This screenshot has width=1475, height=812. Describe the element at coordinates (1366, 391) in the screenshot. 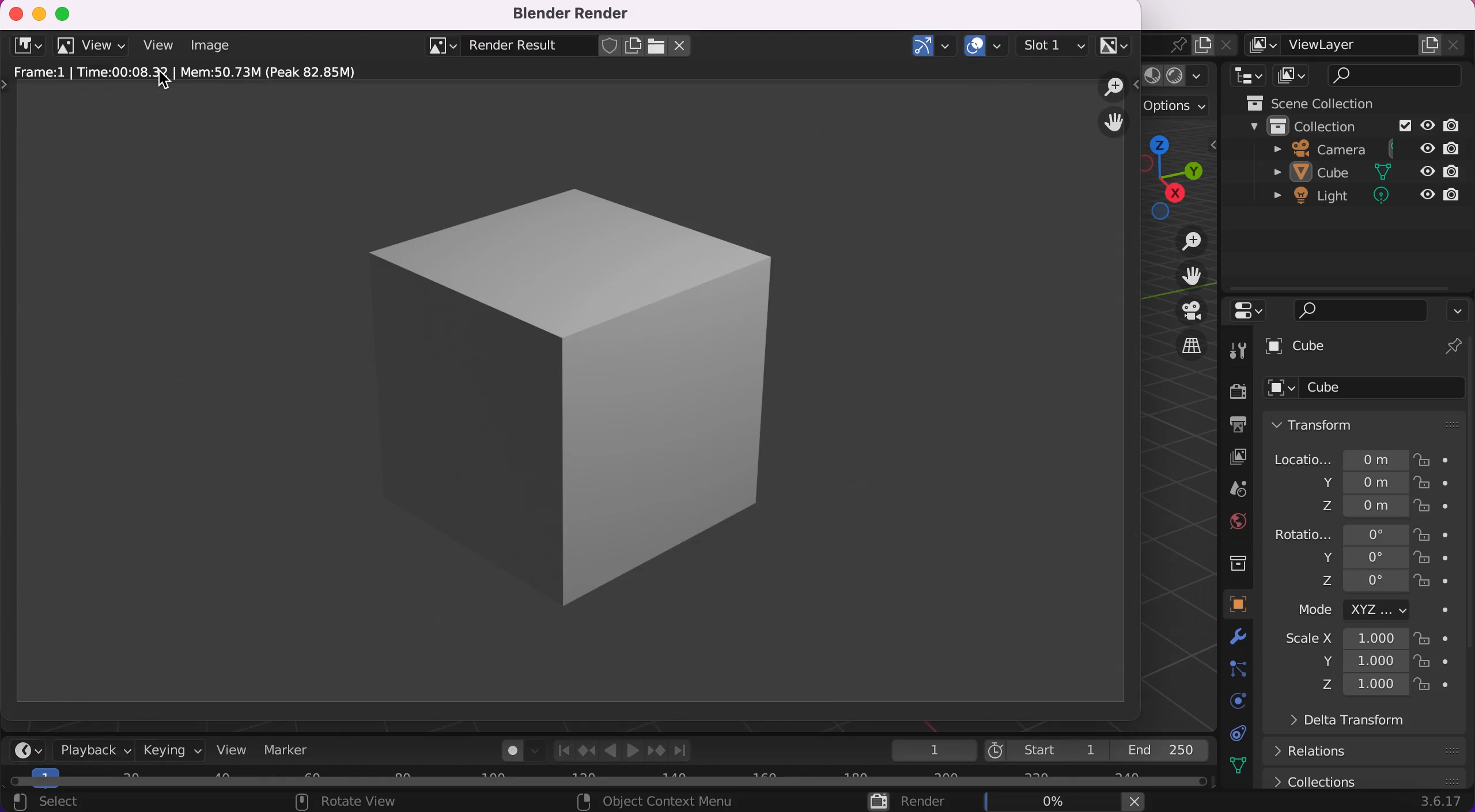

I see `cube` at that location.